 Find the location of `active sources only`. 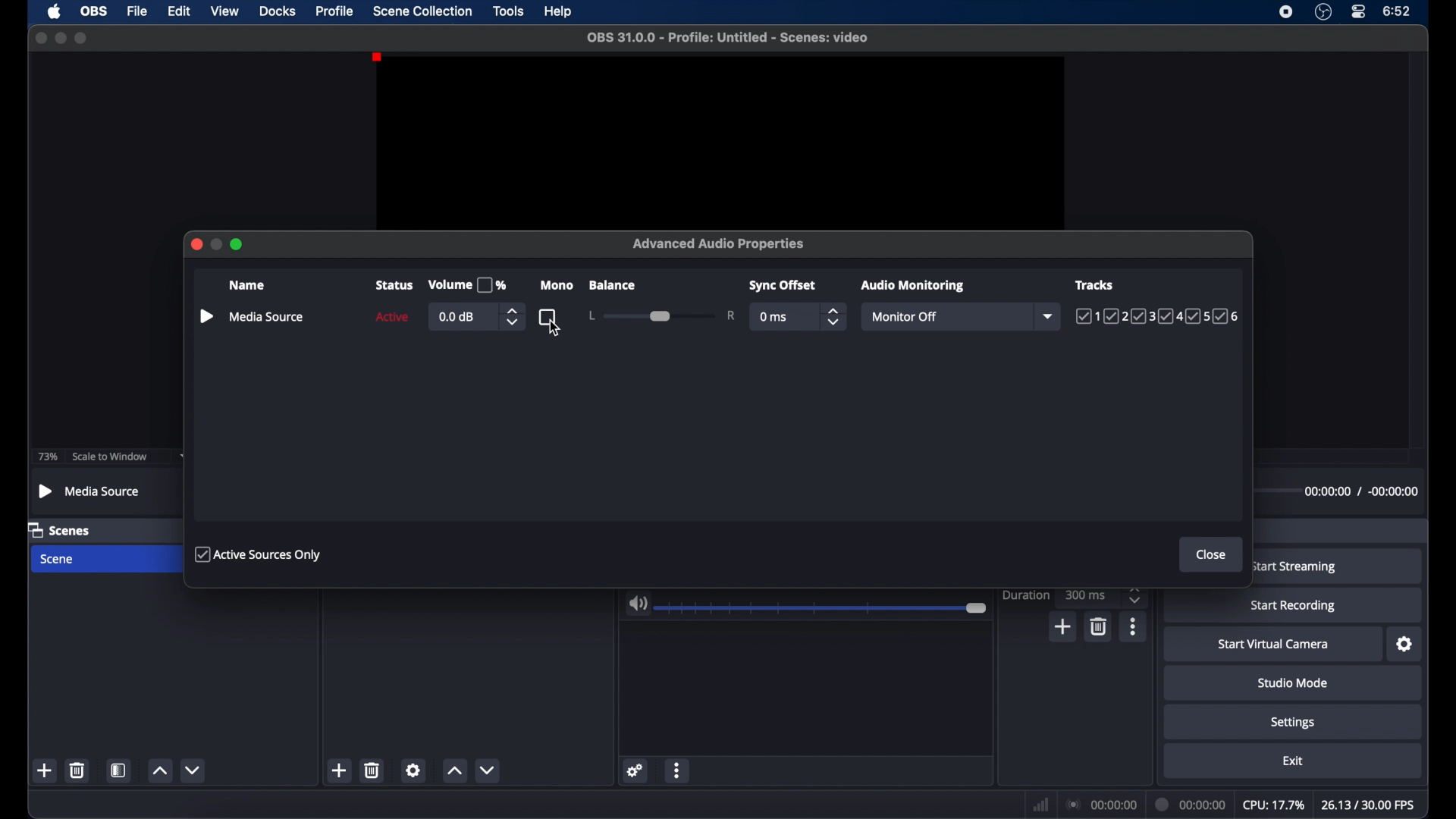

active sources only is located at coordinates (260, 555).